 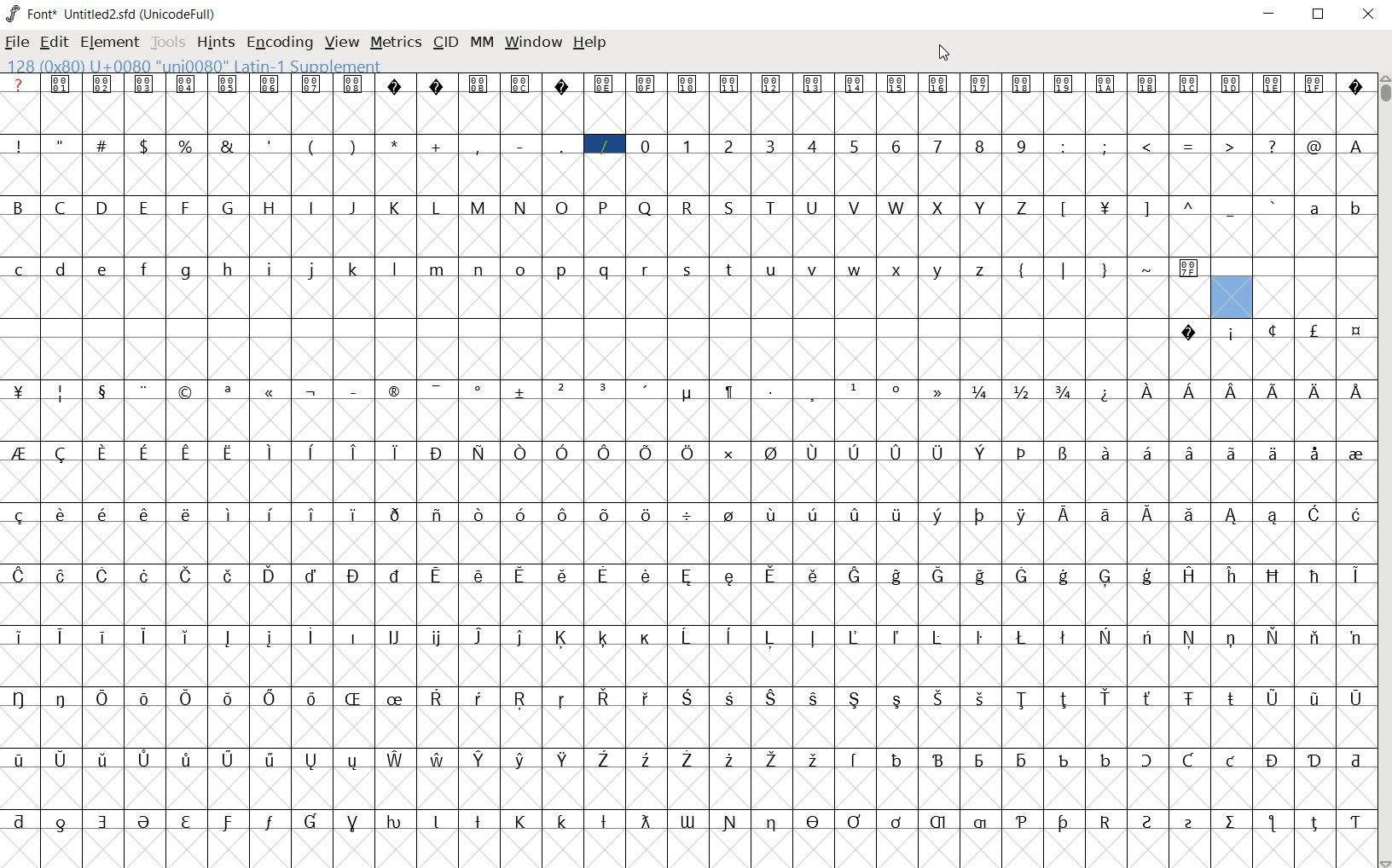 What do you see at coordinates (1022, 700) in the screenshot?
I see `glyph` at bounding box center [1022, 700].